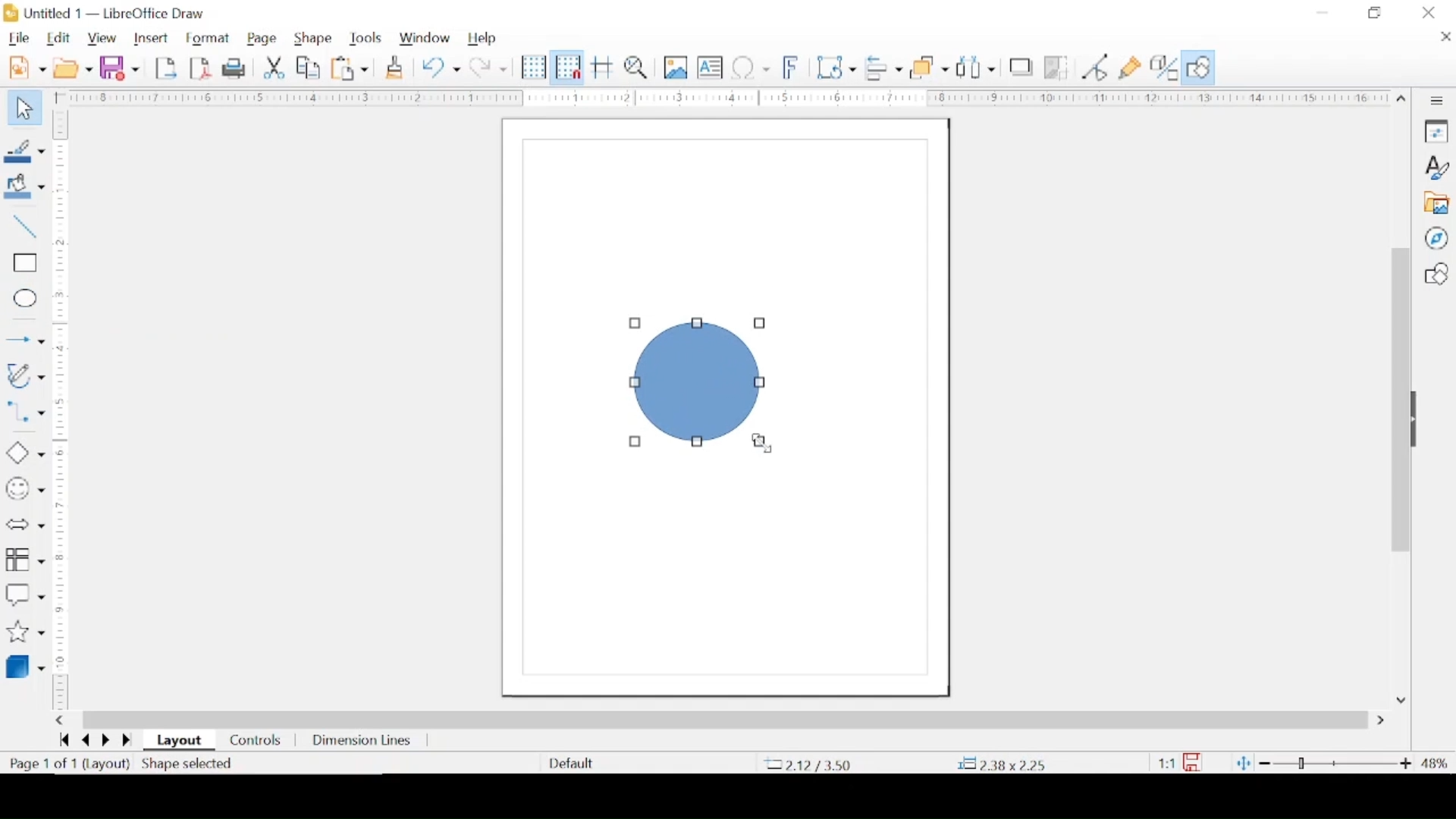  I want to click on go back, so click(82, 742).